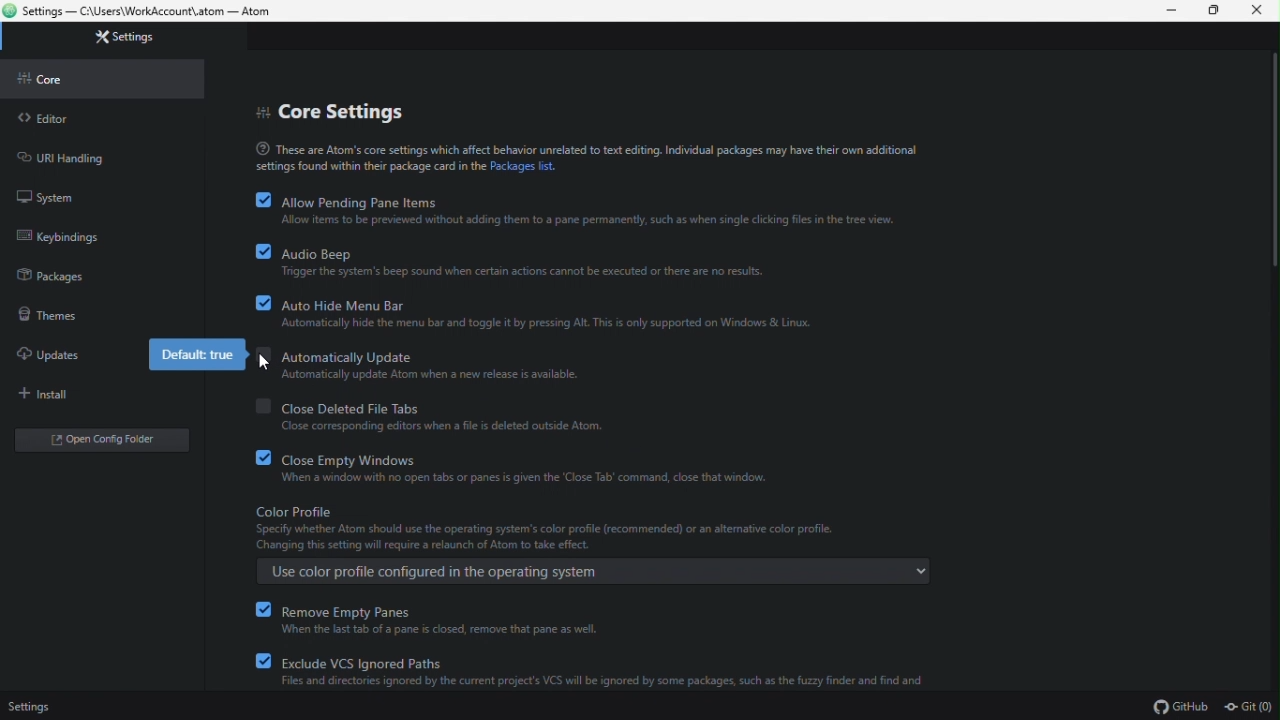  I want to click on color profile, so click(590, 546).